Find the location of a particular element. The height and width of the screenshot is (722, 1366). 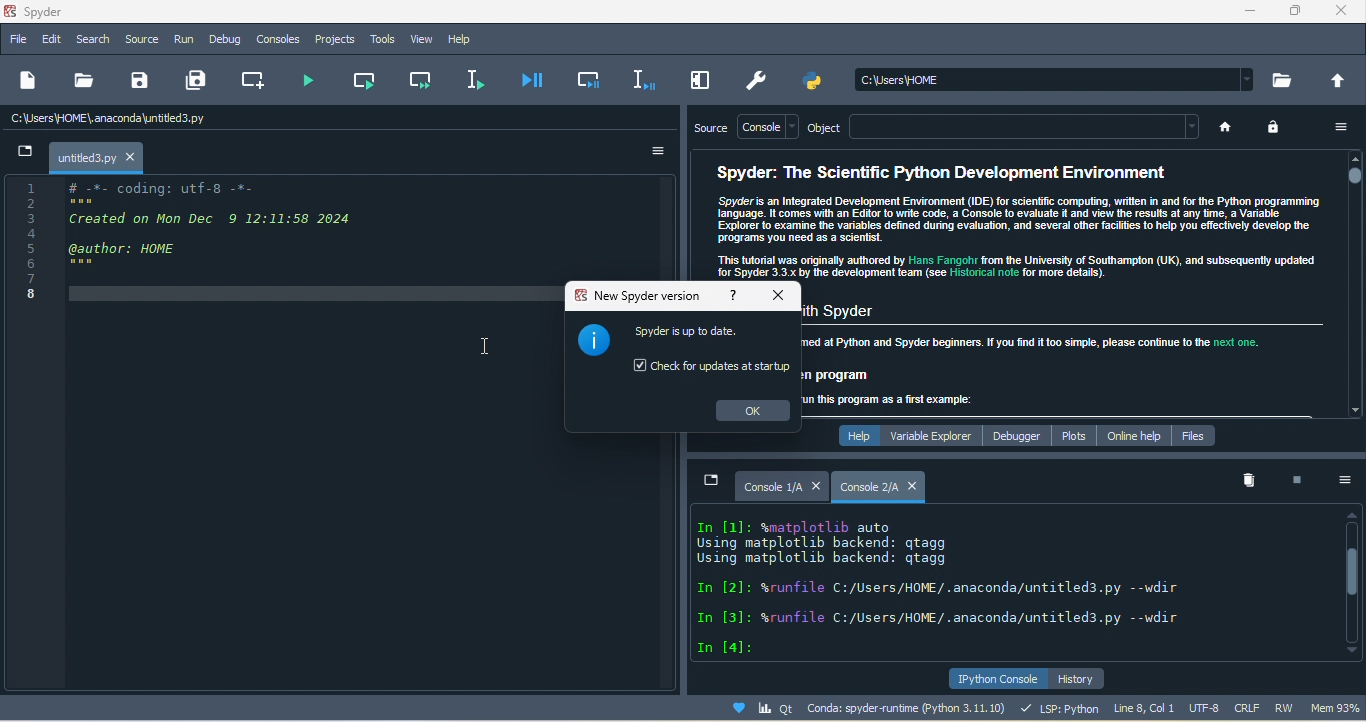

option is located at coordinates (1345, 483).